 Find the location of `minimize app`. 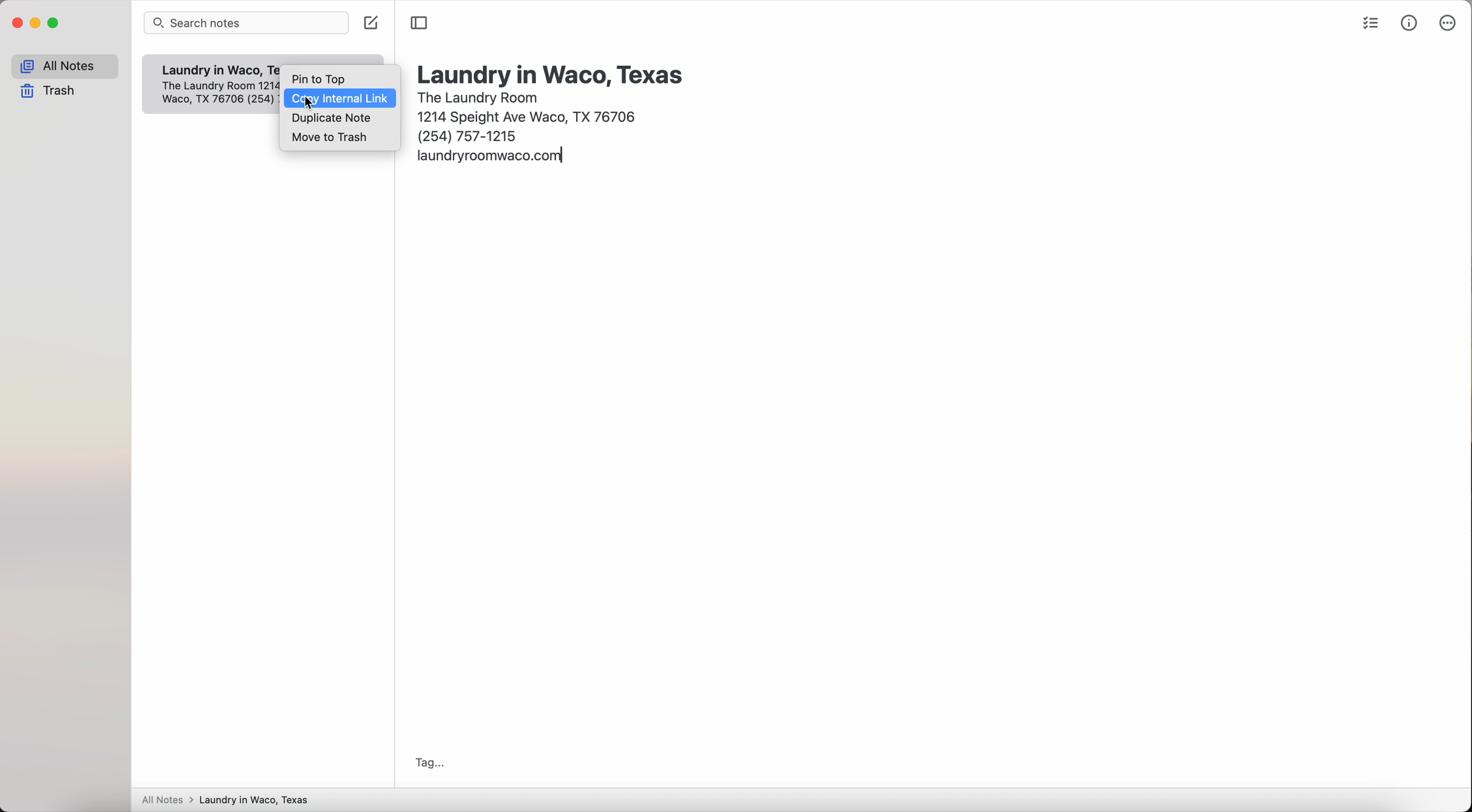

minimize app is located at coordinates (36, 23).